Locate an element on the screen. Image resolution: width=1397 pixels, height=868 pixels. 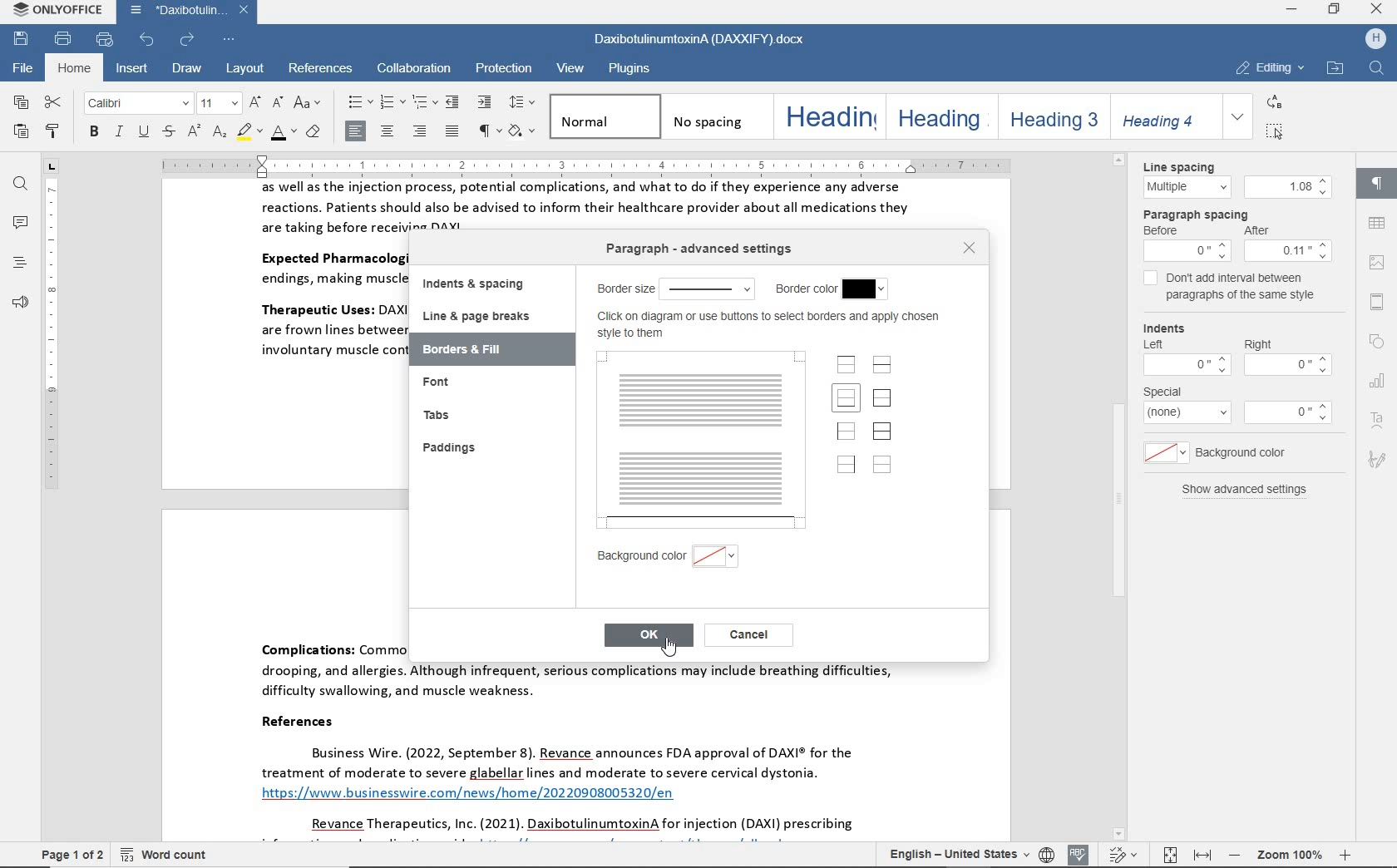
bold is located at coordinates (93, 133).